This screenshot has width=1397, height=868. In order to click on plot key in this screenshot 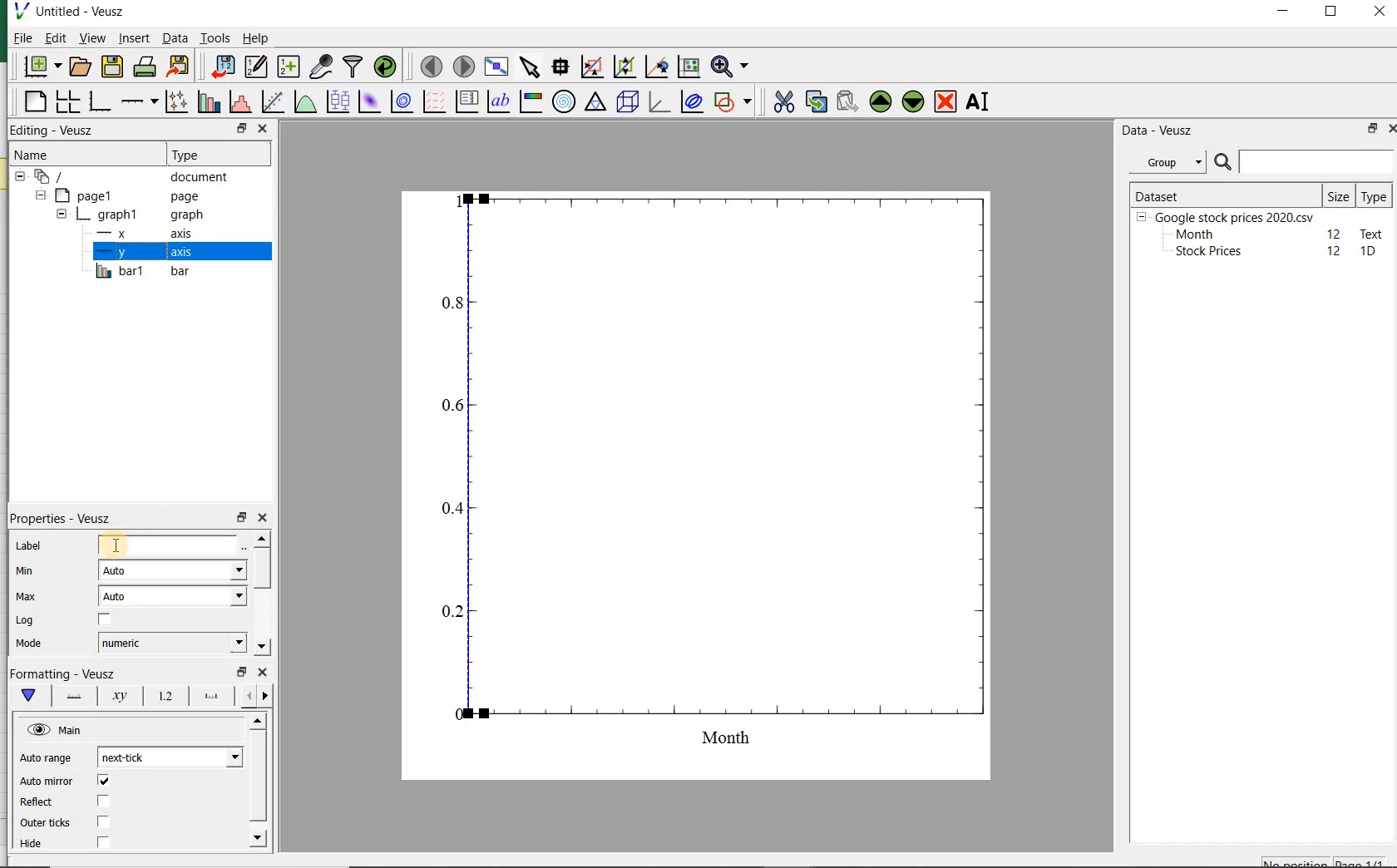, I will do `click(466, 103)`.